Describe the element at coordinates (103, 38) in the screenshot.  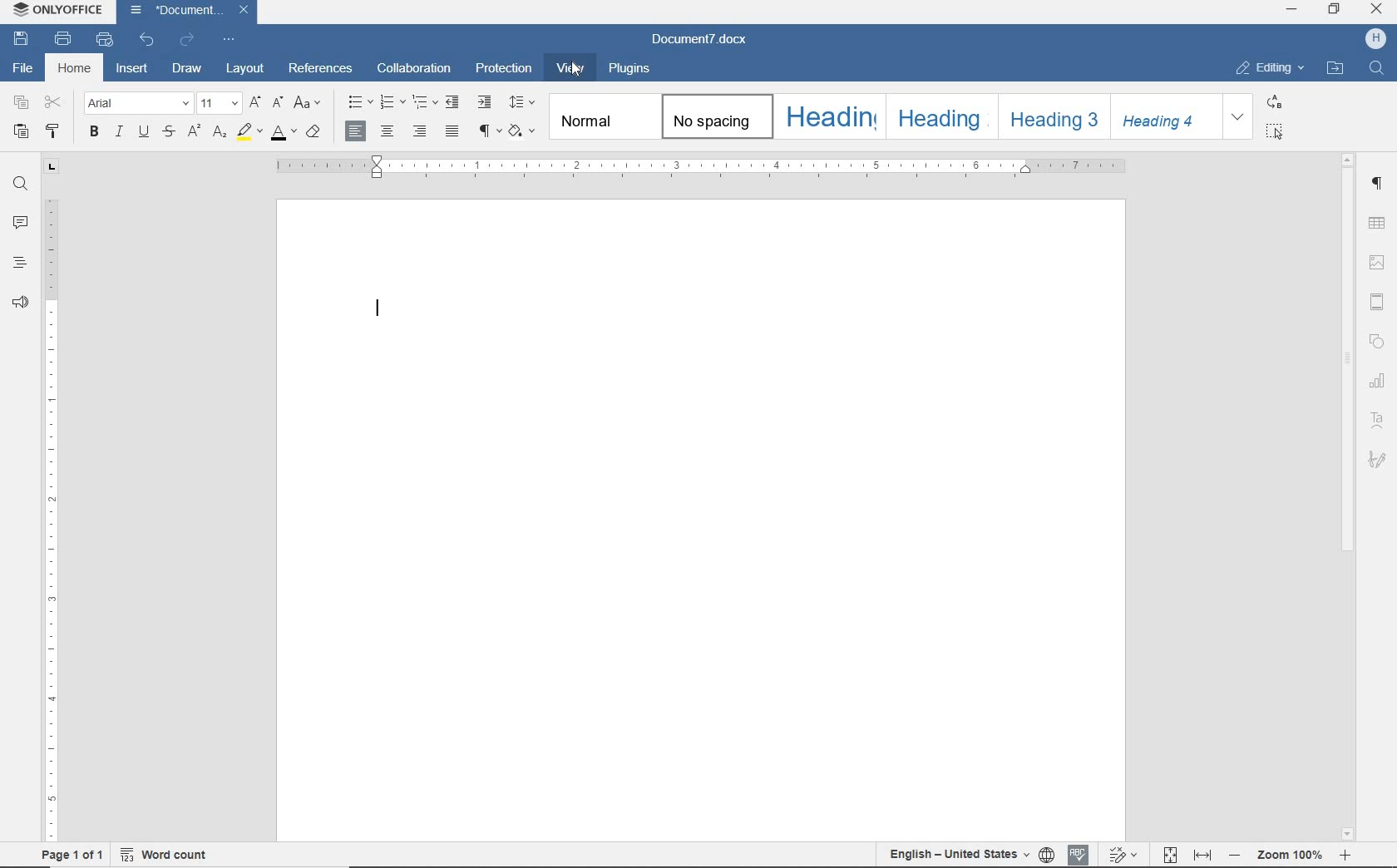
I see `QUICK PRINT` at that location.